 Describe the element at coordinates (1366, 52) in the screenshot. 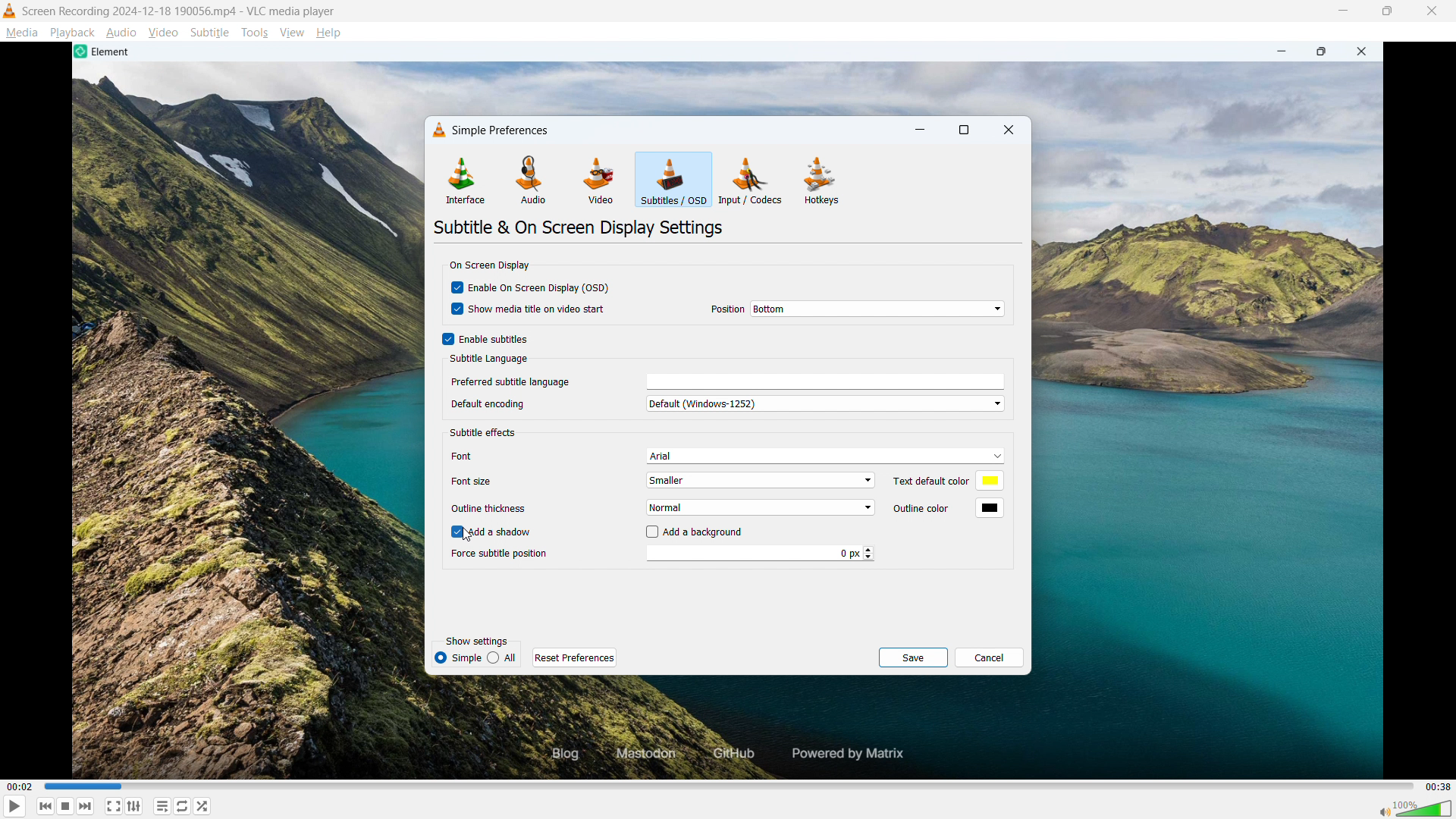

I see `close` at that location.